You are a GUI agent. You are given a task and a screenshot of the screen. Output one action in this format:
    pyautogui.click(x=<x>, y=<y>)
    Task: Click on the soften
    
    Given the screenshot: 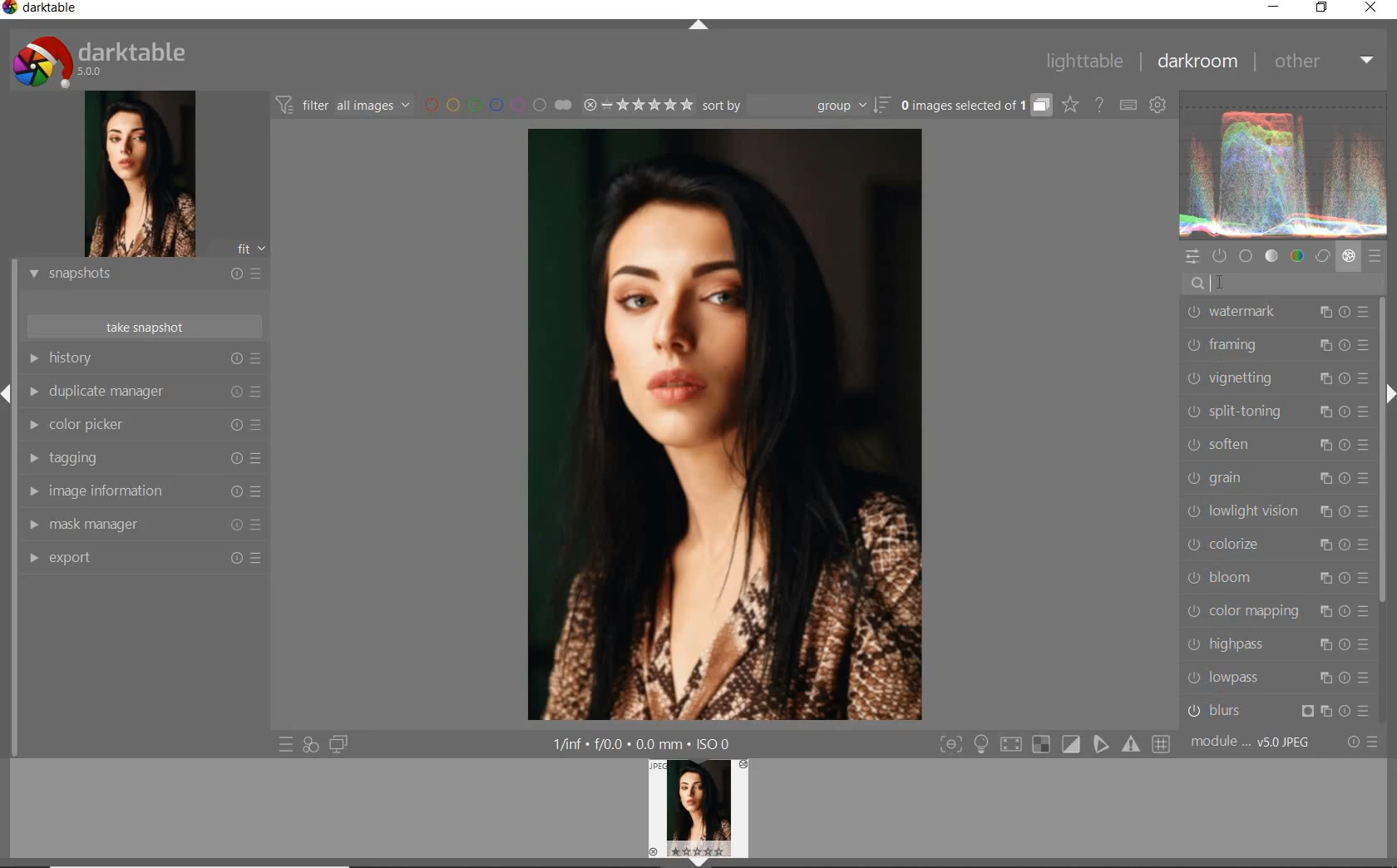 What is the action you would take?
    pyautogui.click(x=1275, y=447)
    